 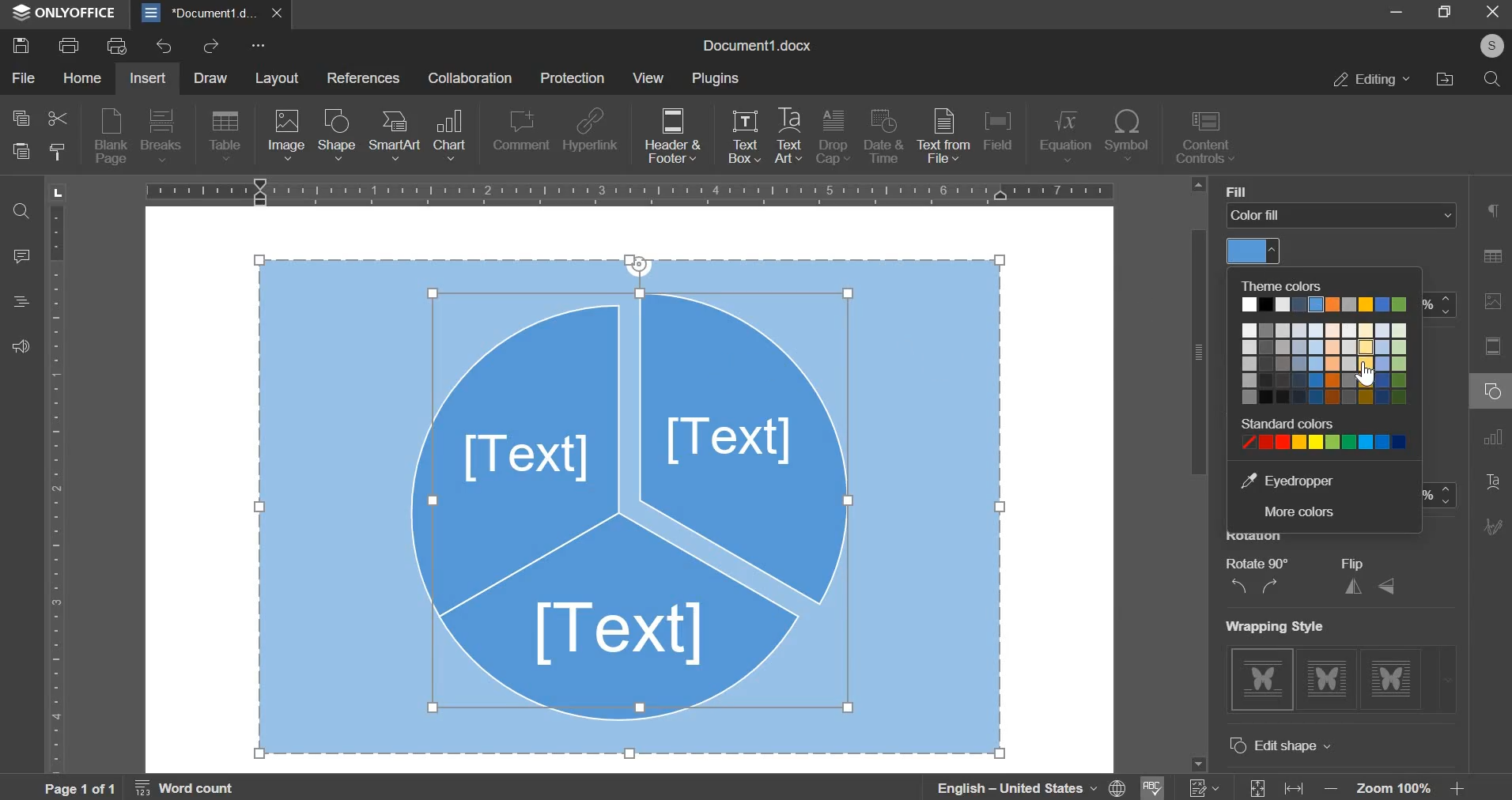 I want to click on symbol, so click(x=1128, y=135).